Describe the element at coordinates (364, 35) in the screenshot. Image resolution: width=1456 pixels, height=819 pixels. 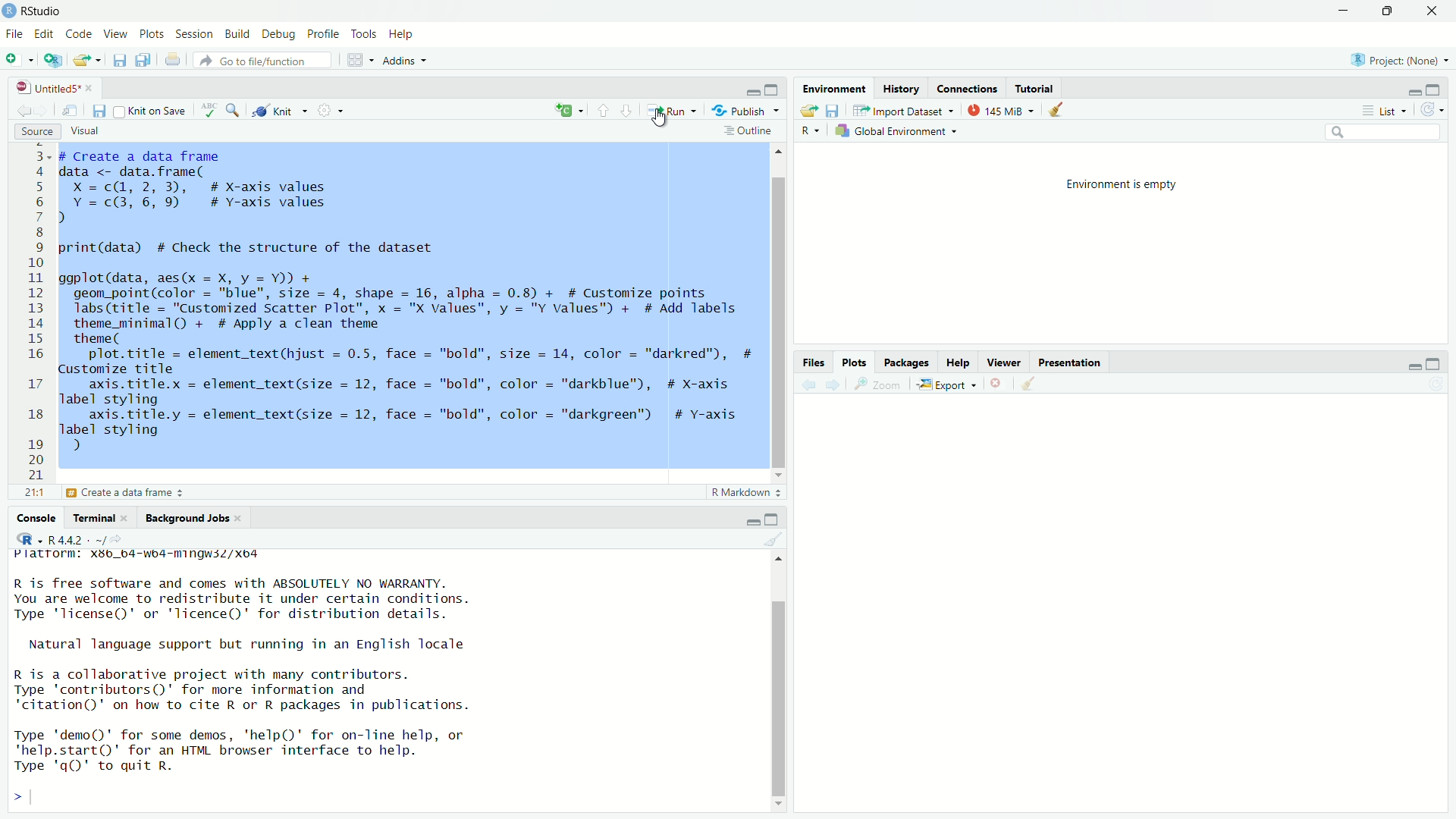
I see `Tools` at that location.